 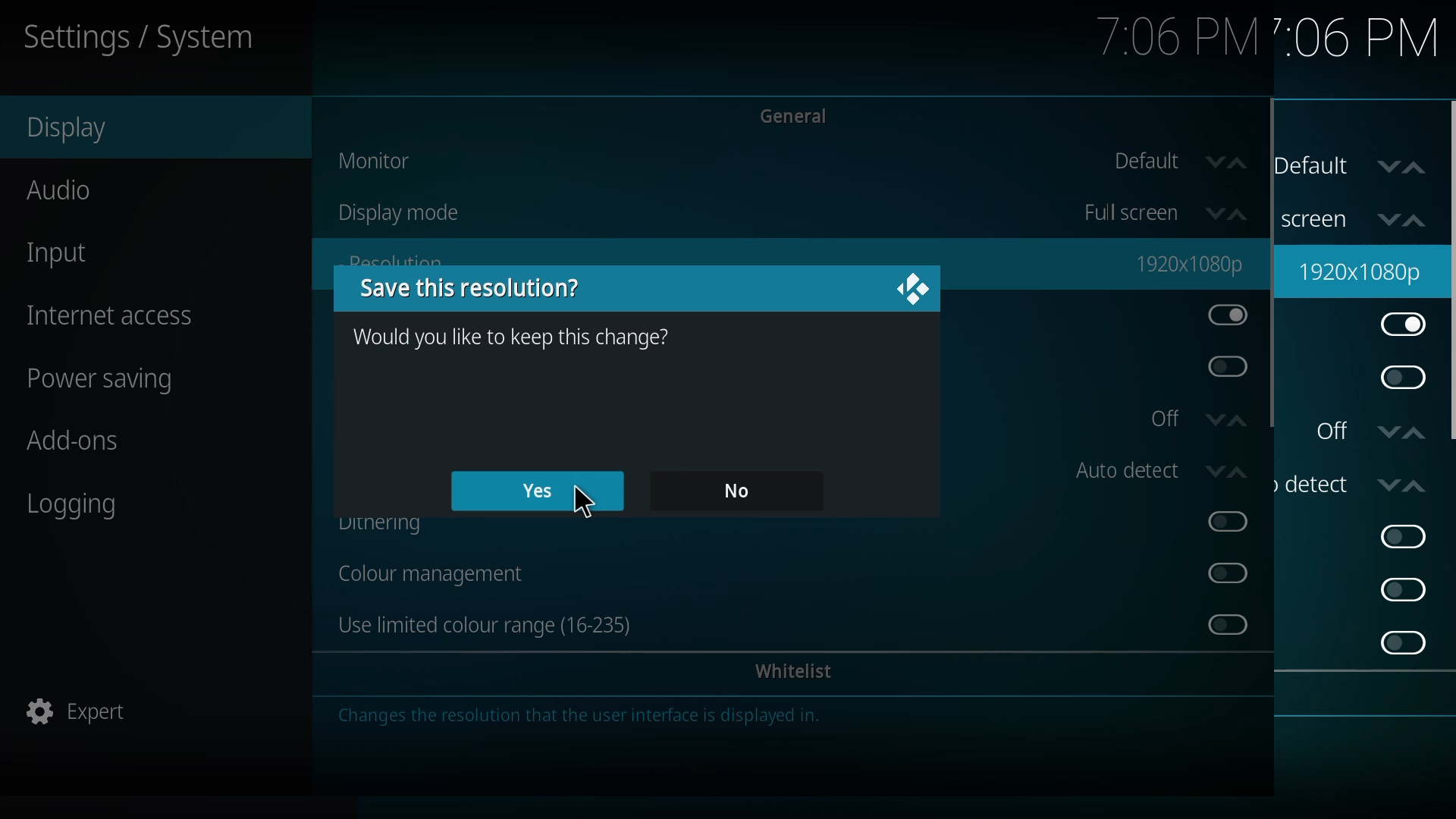 What do you see at coordinates (1400, 378) in the screenshot?
I see `enable` at bounding box center [1400, 378].